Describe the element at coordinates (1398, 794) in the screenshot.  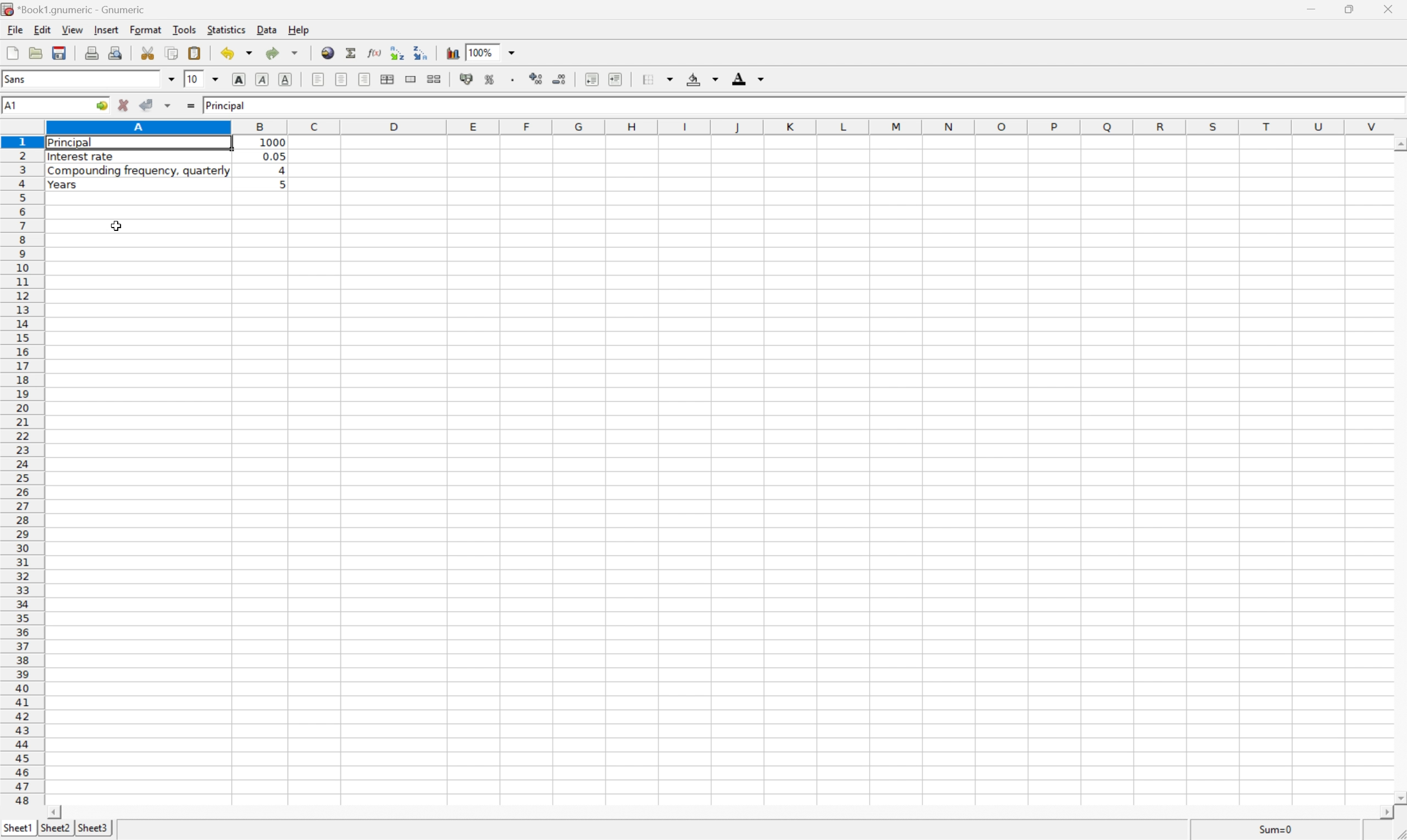
I see `scroll down` at that location.